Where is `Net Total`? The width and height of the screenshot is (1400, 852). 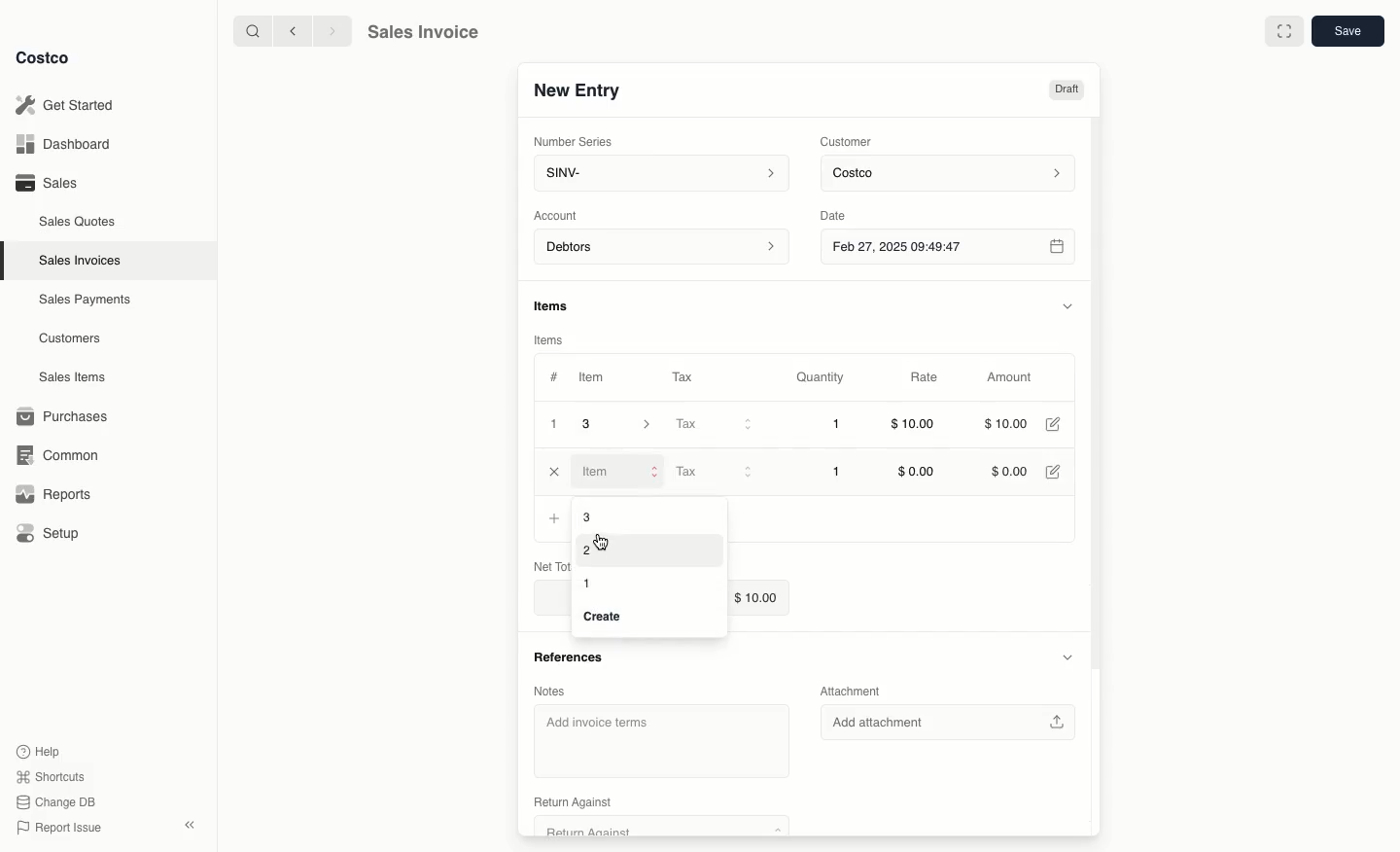
Net Total is located at coordinates (550, 566).